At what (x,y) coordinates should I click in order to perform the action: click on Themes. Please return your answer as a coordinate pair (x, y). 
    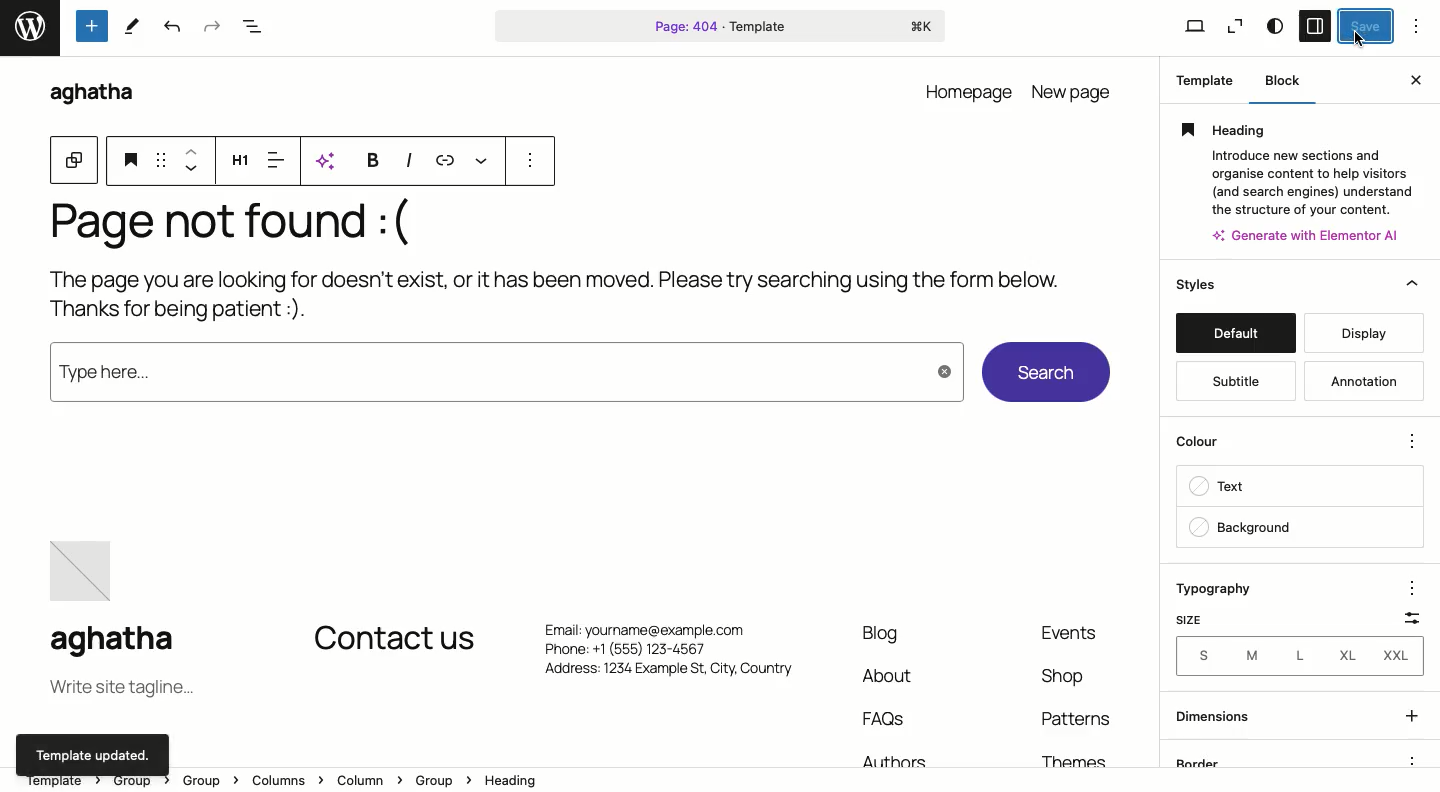
    Looking at the image, I should click on (1080, 758).